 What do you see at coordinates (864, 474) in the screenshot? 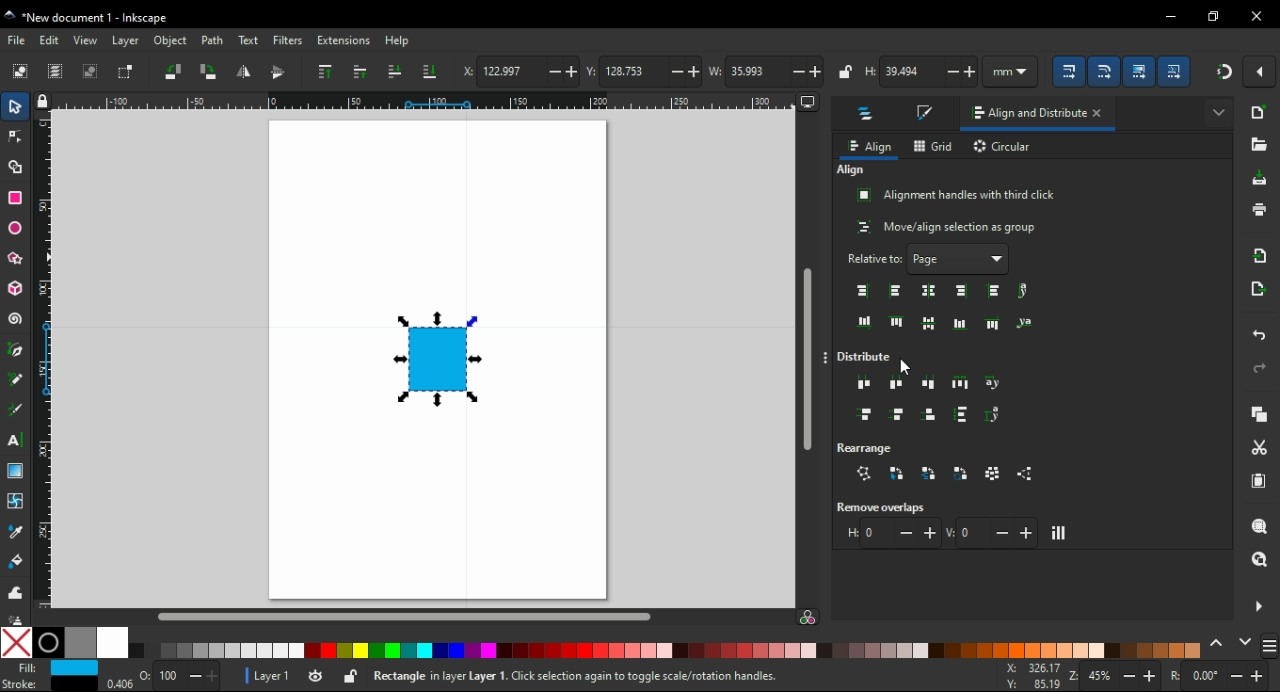
I see `nicely arrange selected connector network` at bounding box center [864, 474].